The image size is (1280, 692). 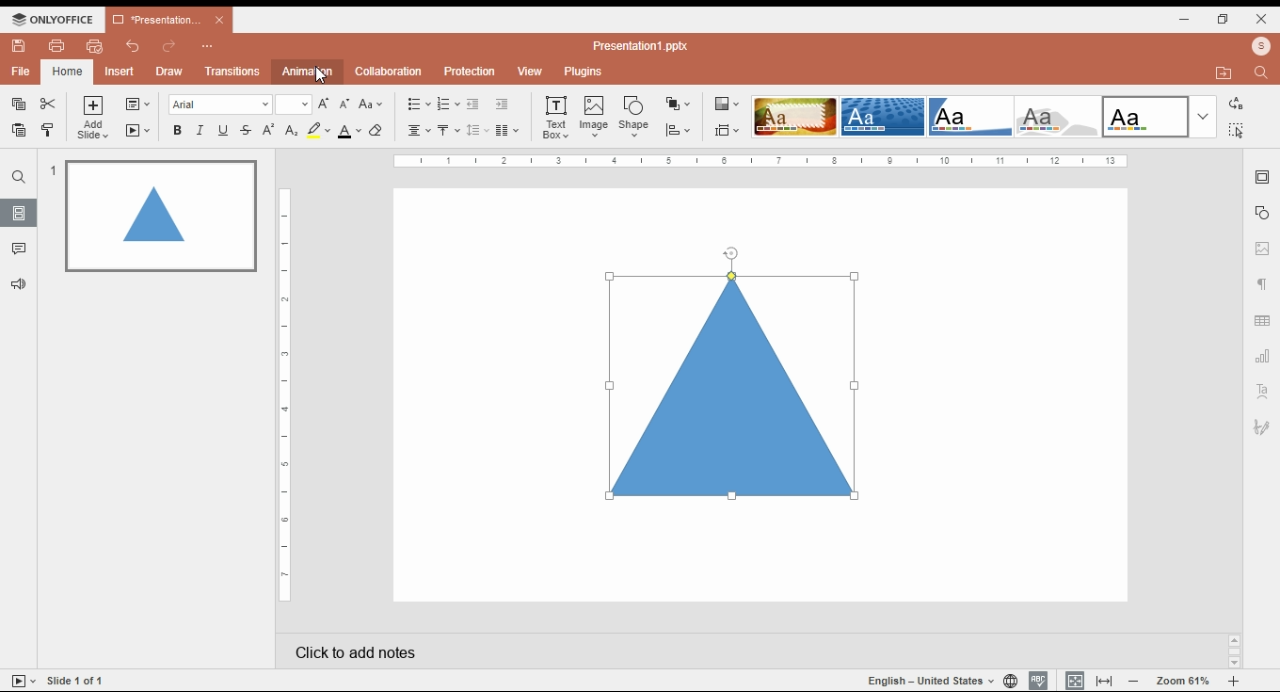 What do you see at coordinates (592, 118) in the screenshot?
I see `insert image` at bounding box center [592, 118].